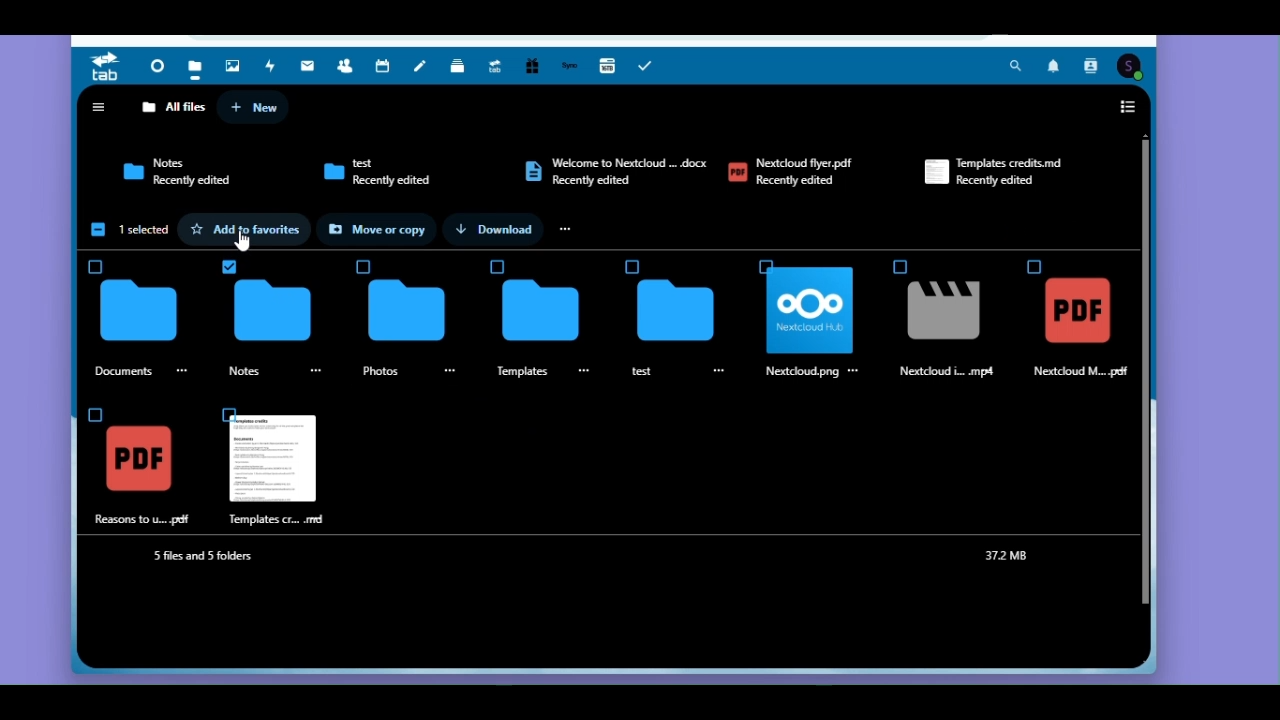 This screenshot has height=720, width=1280. I want to click on Recently edited, so click(994, 180).